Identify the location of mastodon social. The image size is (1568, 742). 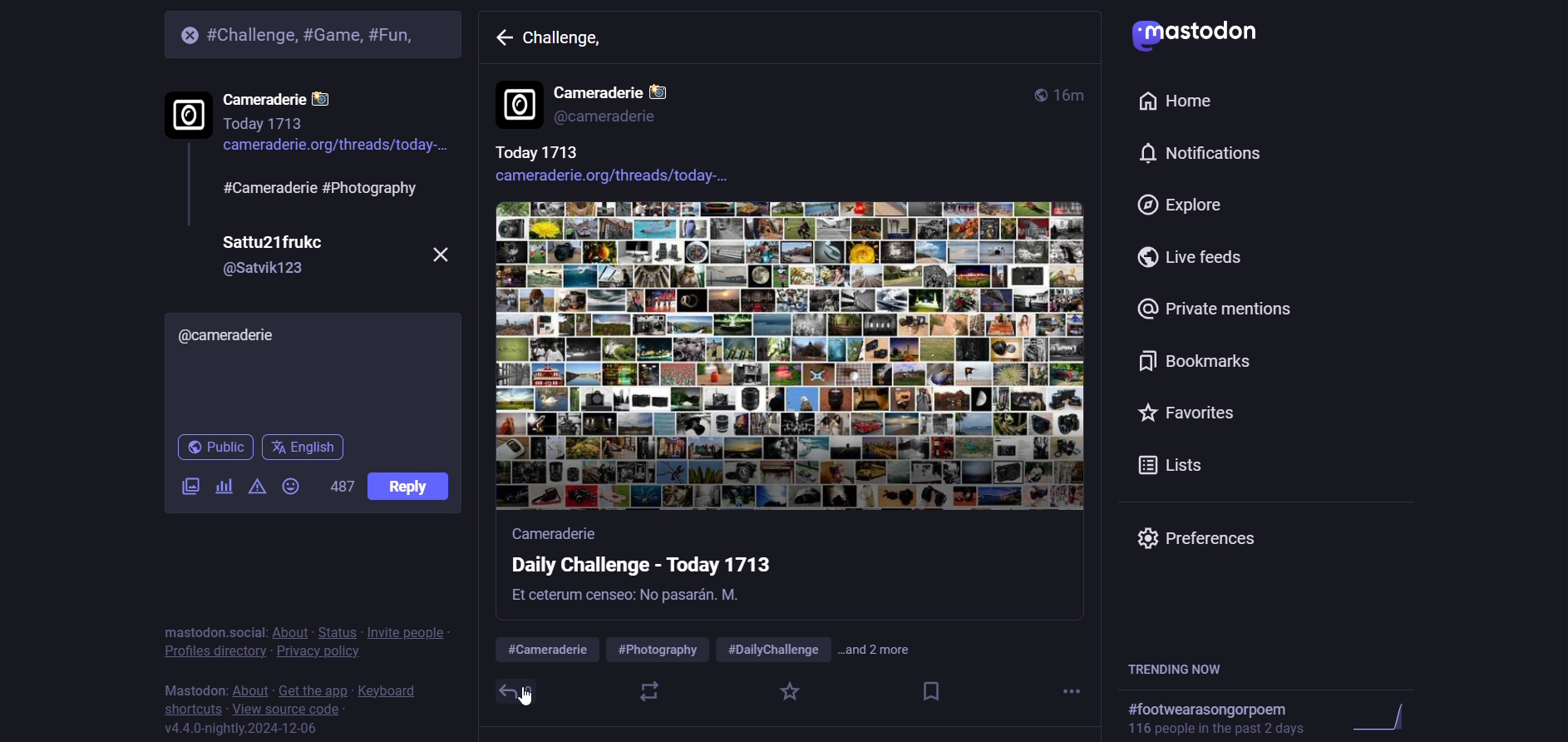
(212, 631).